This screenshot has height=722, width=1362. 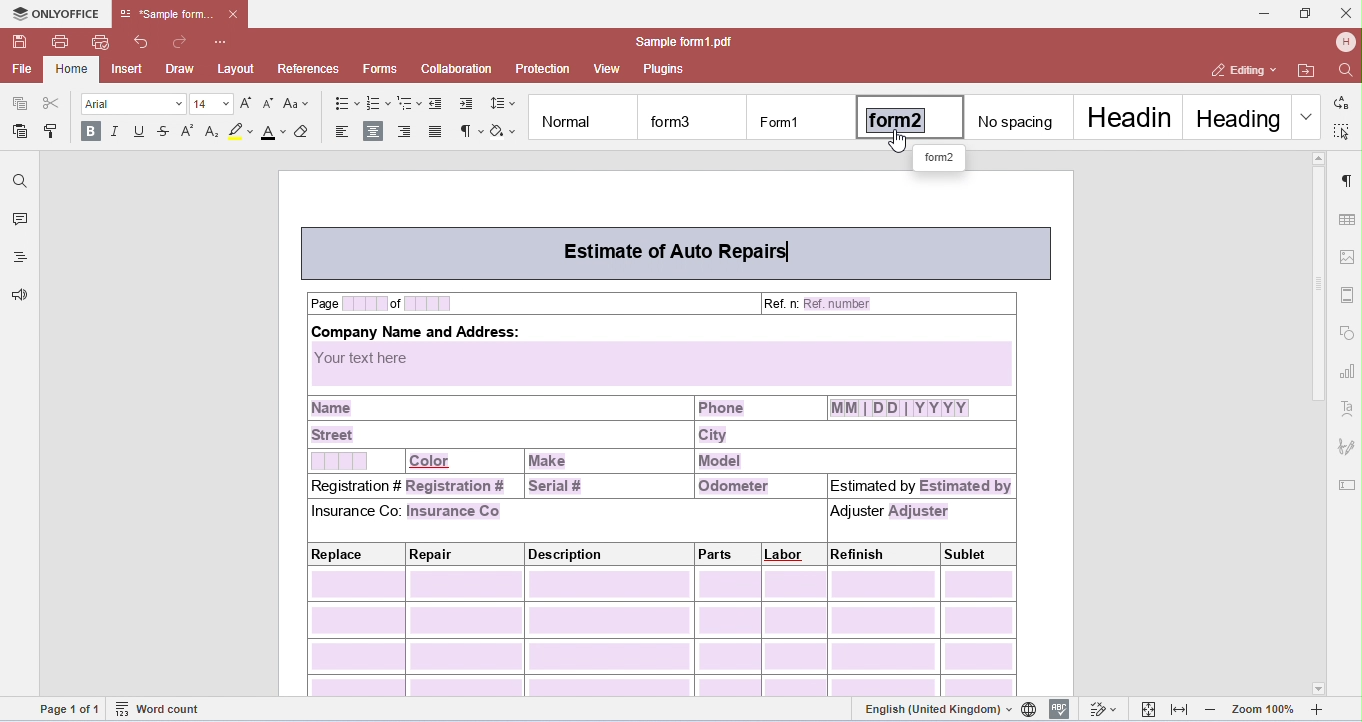 What do you see at coordinates (608, 69) in the screenshot?
I see `view` at bounding box center [608, 69].